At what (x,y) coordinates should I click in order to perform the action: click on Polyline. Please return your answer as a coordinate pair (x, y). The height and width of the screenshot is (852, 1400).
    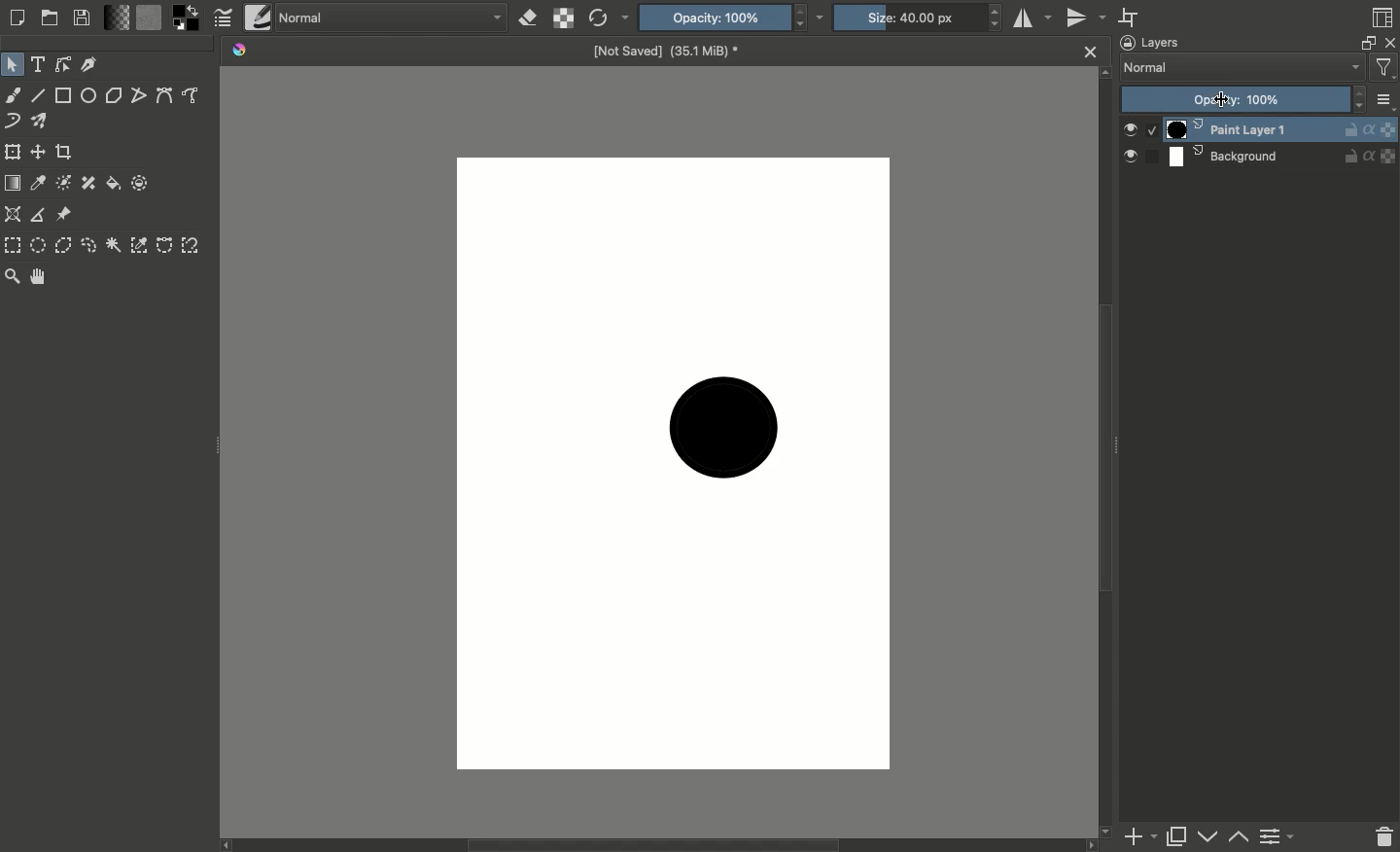
    Looking at the image, I should click on (141, 95).